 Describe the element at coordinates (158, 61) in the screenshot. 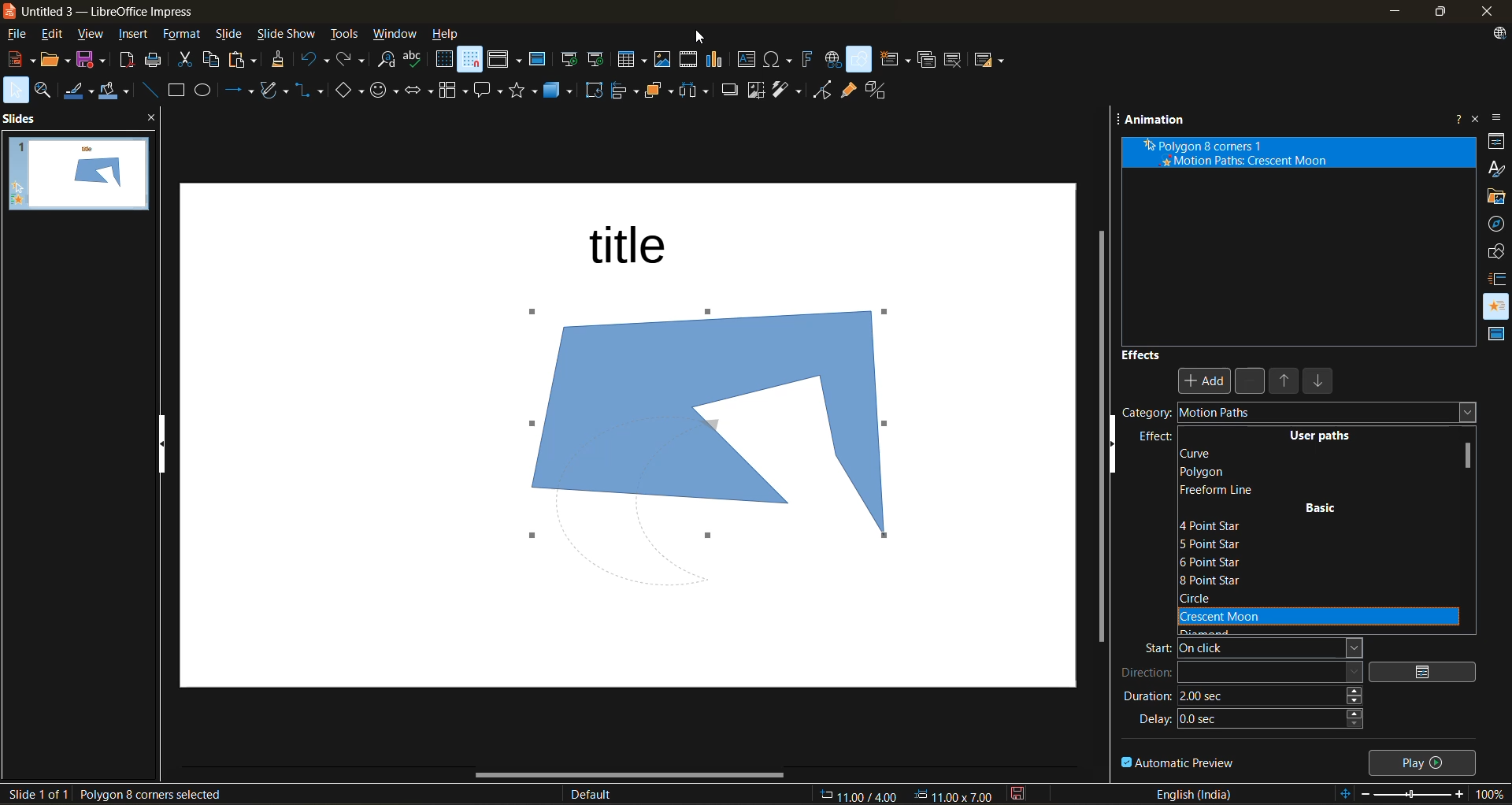

I see `print` at that location.